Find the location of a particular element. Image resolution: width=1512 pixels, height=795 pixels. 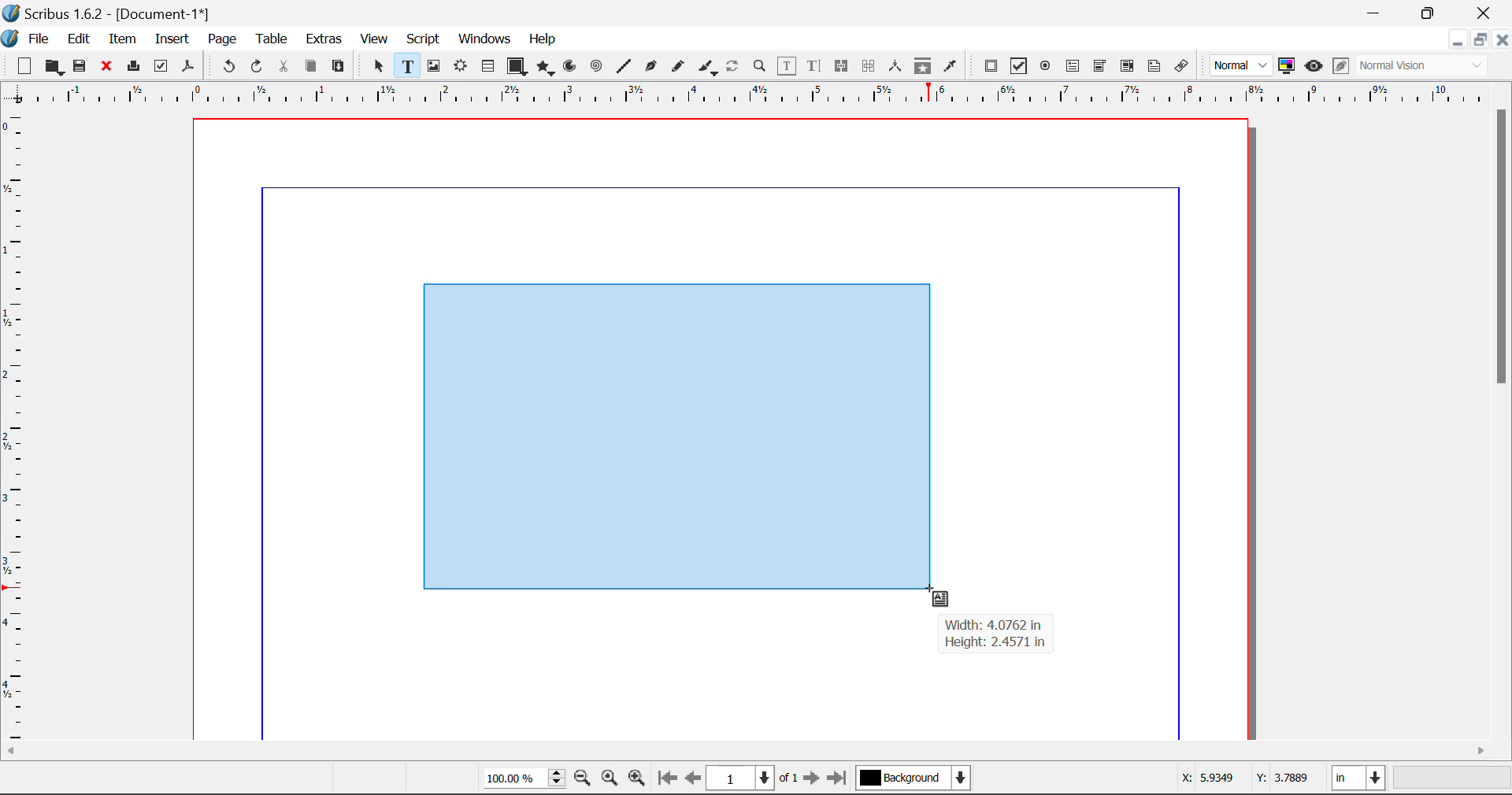

Freehand Line is located at coordinates (676, 67).